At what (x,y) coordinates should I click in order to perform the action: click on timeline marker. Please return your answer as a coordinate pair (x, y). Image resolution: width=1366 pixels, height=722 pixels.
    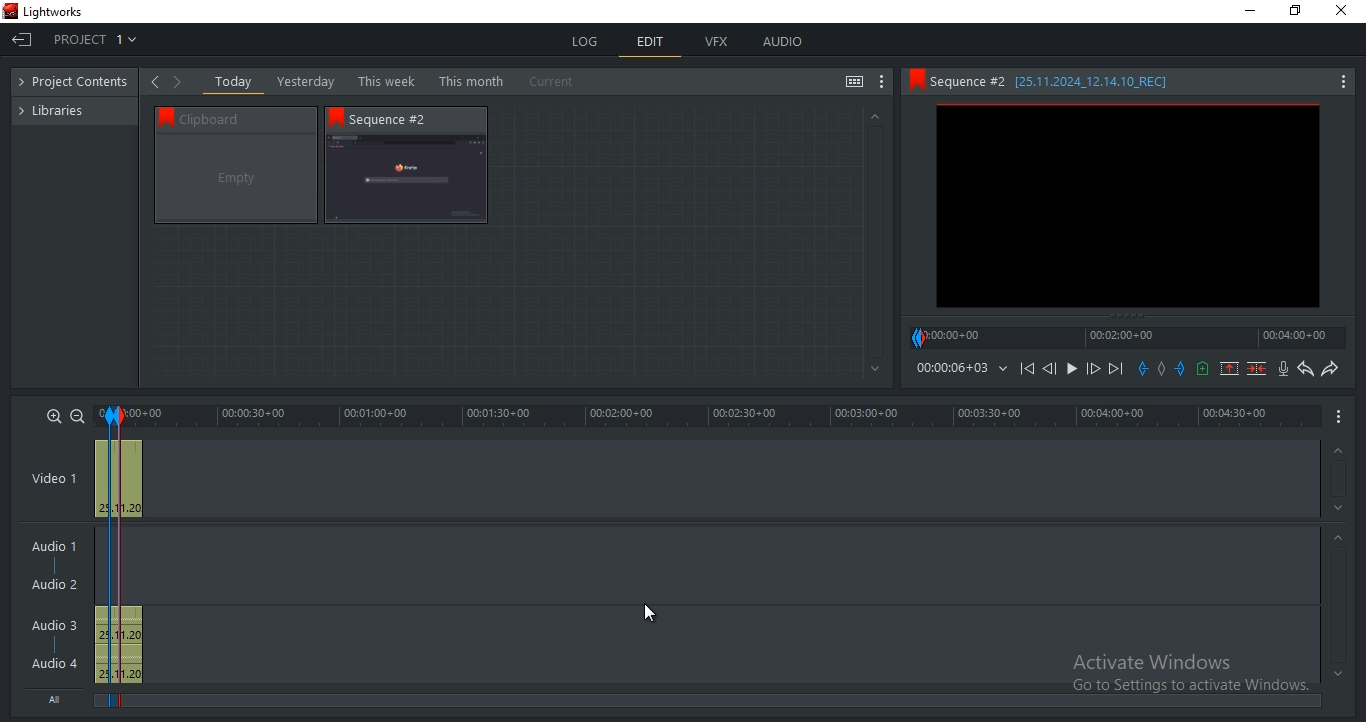
    Looking at the image, I should click on (128, 561).